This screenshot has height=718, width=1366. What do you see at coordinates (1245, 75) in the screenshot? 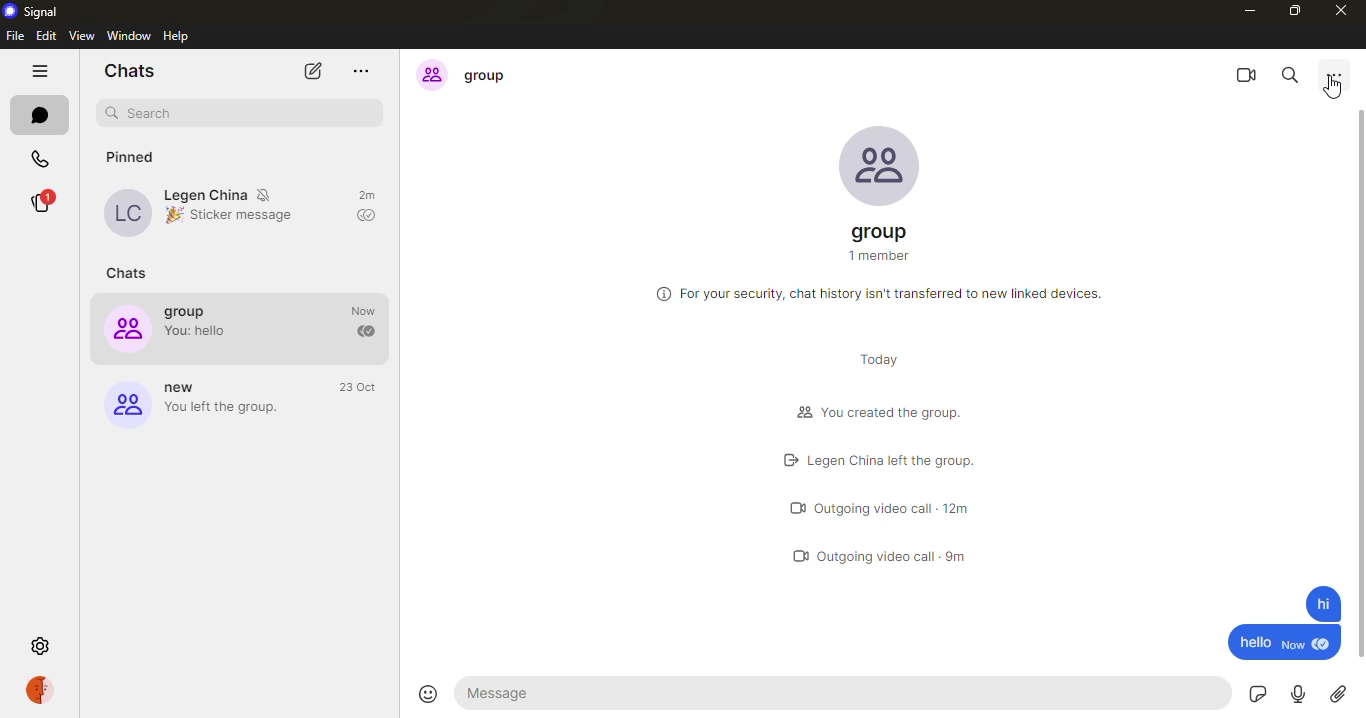
I see `video call` at bounding box center [1245, 75].